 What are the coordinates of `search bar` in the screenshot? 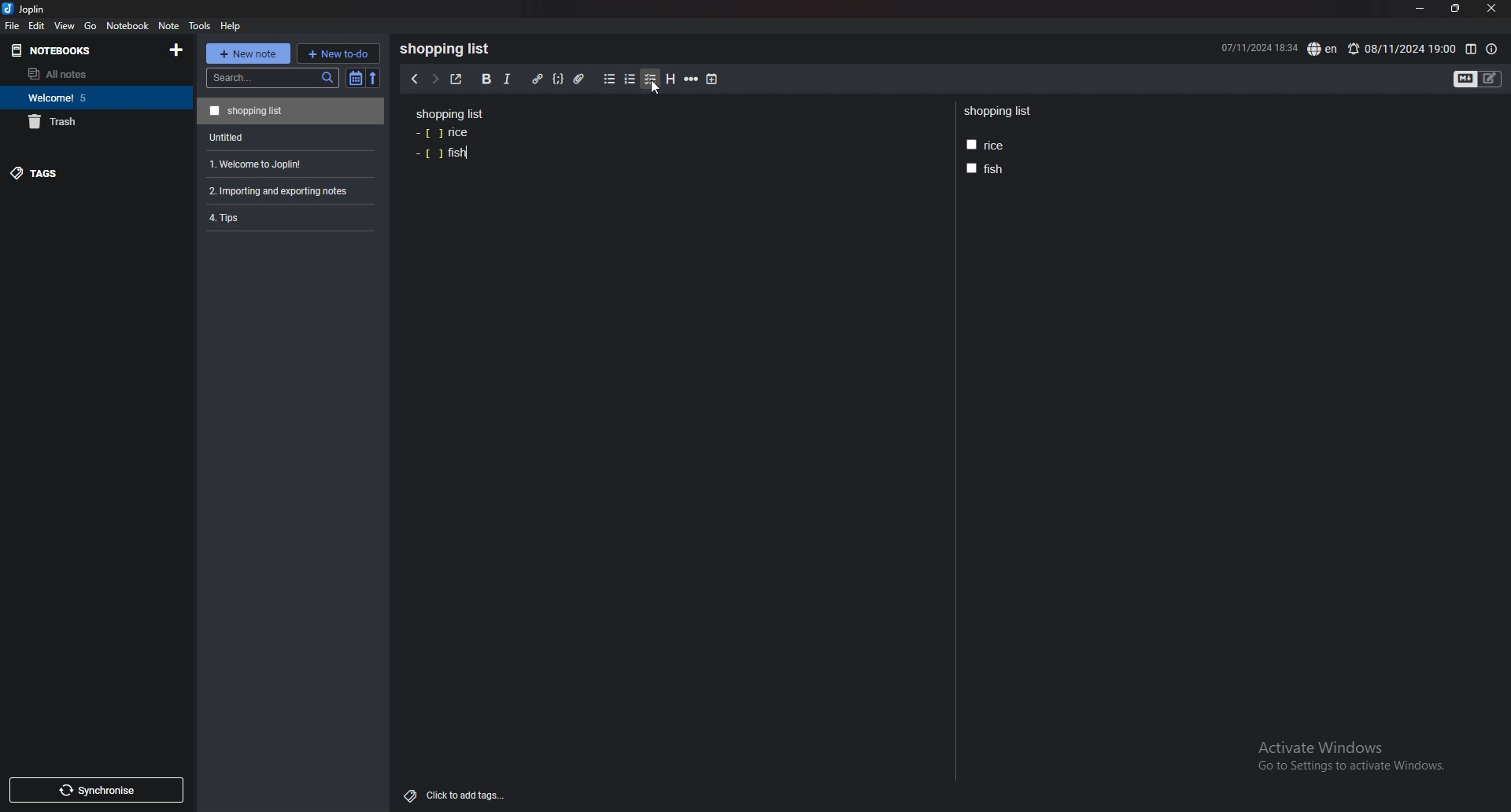 It's located at (272, 78).